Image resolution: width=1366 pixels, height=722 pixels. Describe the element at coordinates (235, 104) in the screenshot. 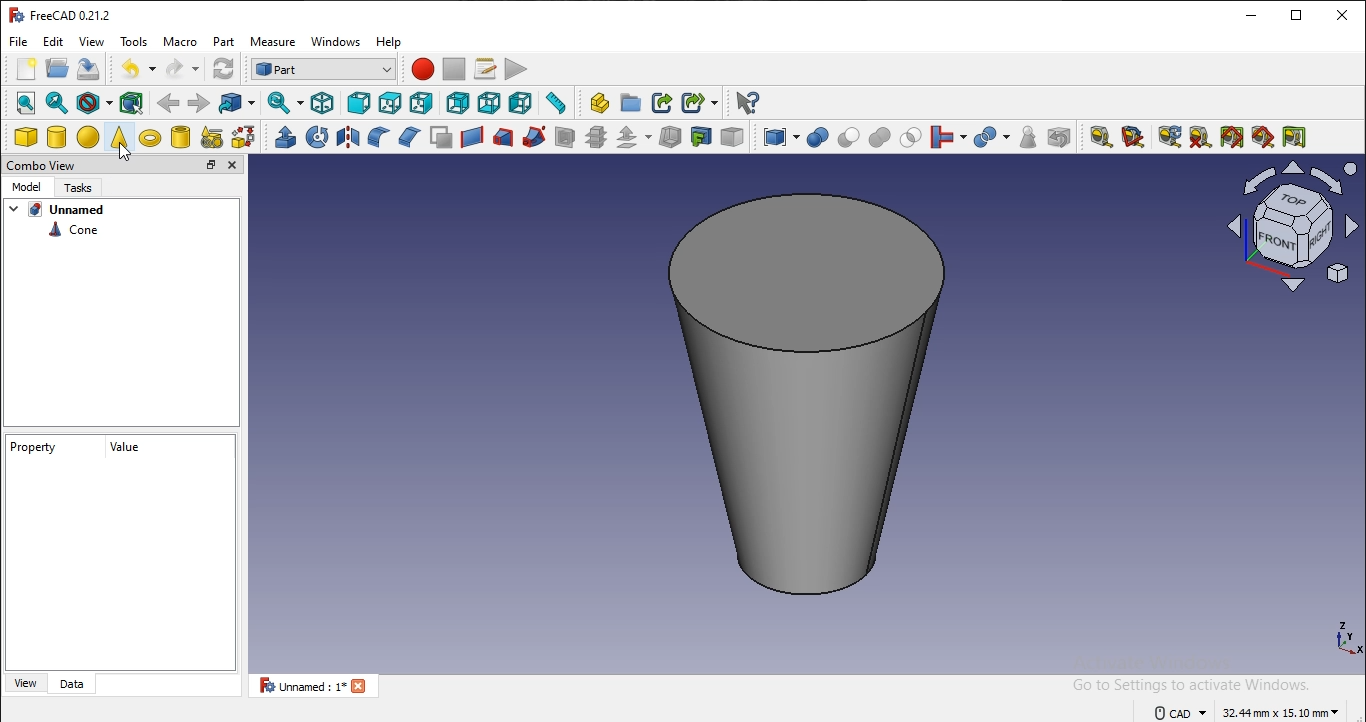

I see `go to linked object` at that location.